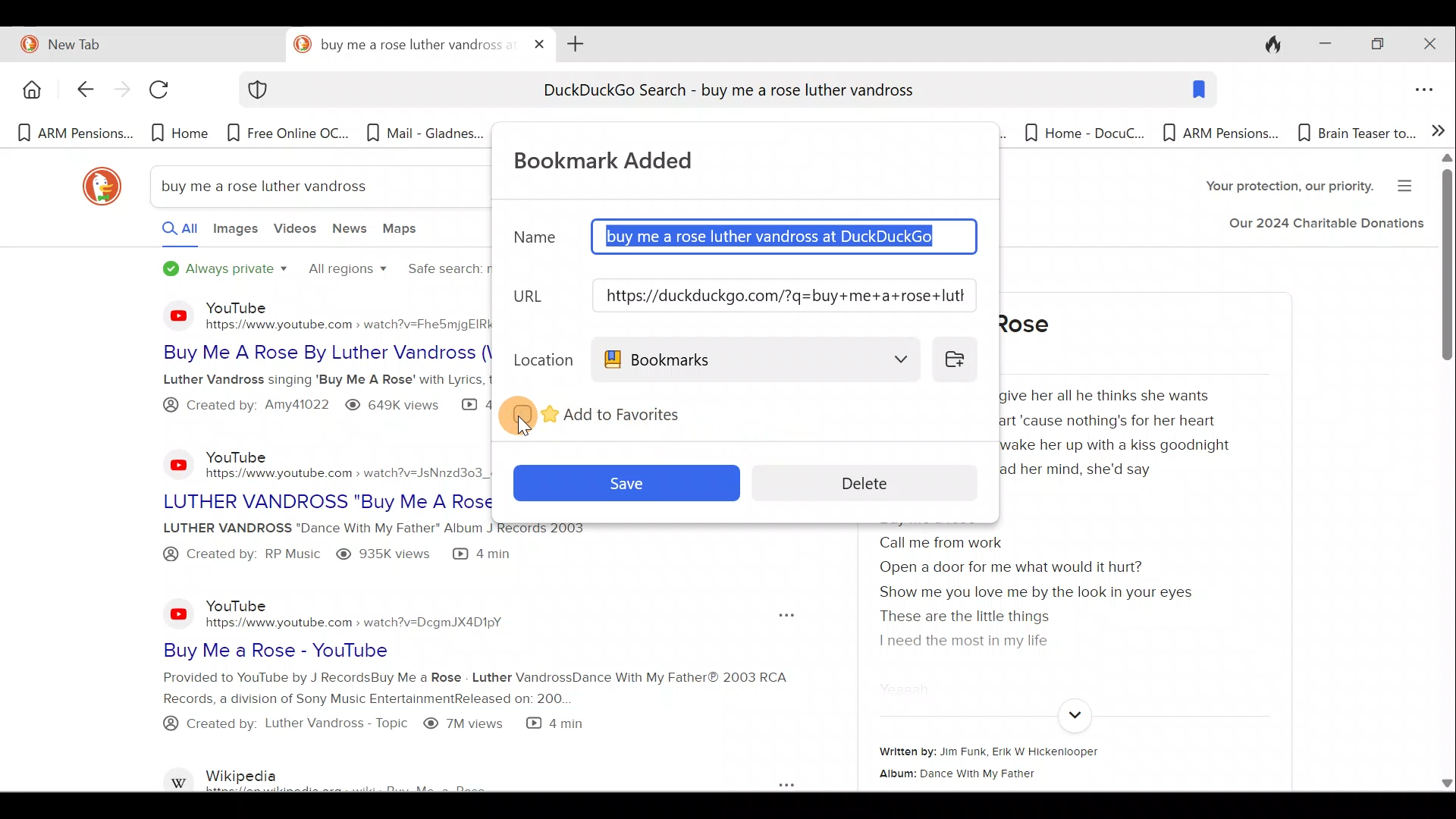 The height and width of the screenshot is (819, 1456). I want to click on Forward, so click(120, 92).